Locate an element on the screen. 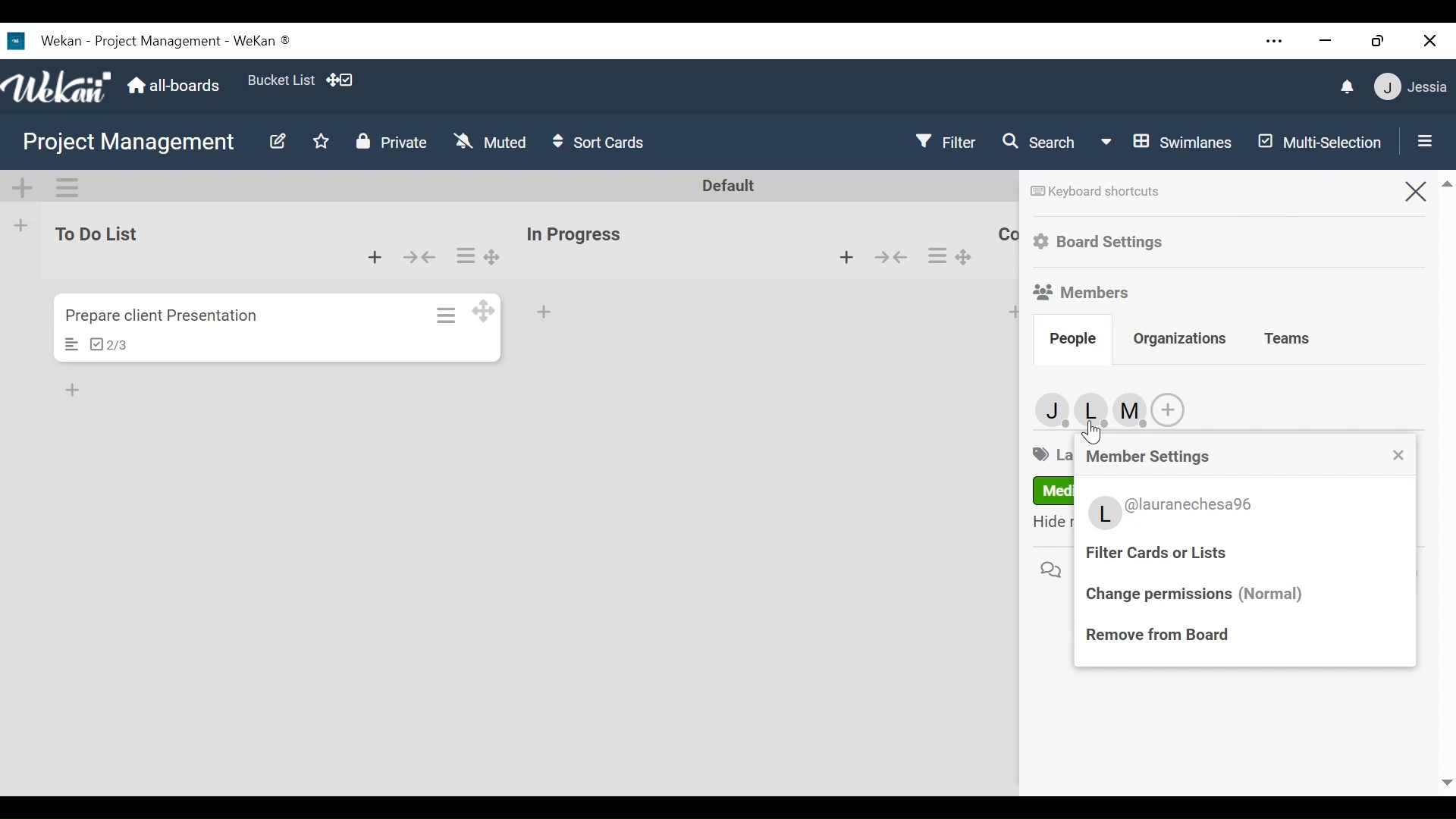 The height and width of the screenshot is (819, 1456). Keyboard shortcuts is located at coordinates (1095, 191).